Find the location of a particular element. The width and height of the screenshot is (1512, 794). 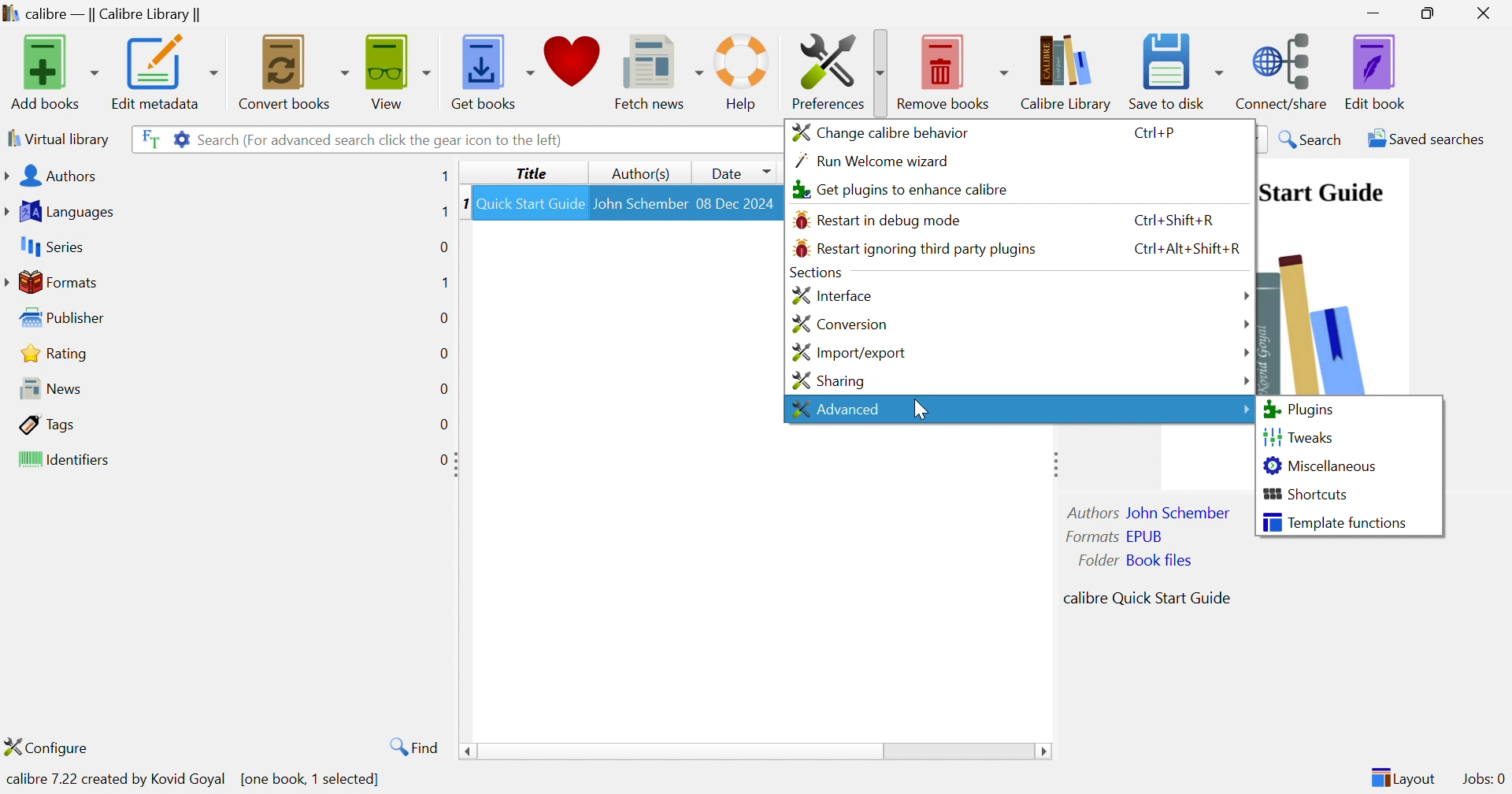

Edit metadata is located at coordinates (163, 72).